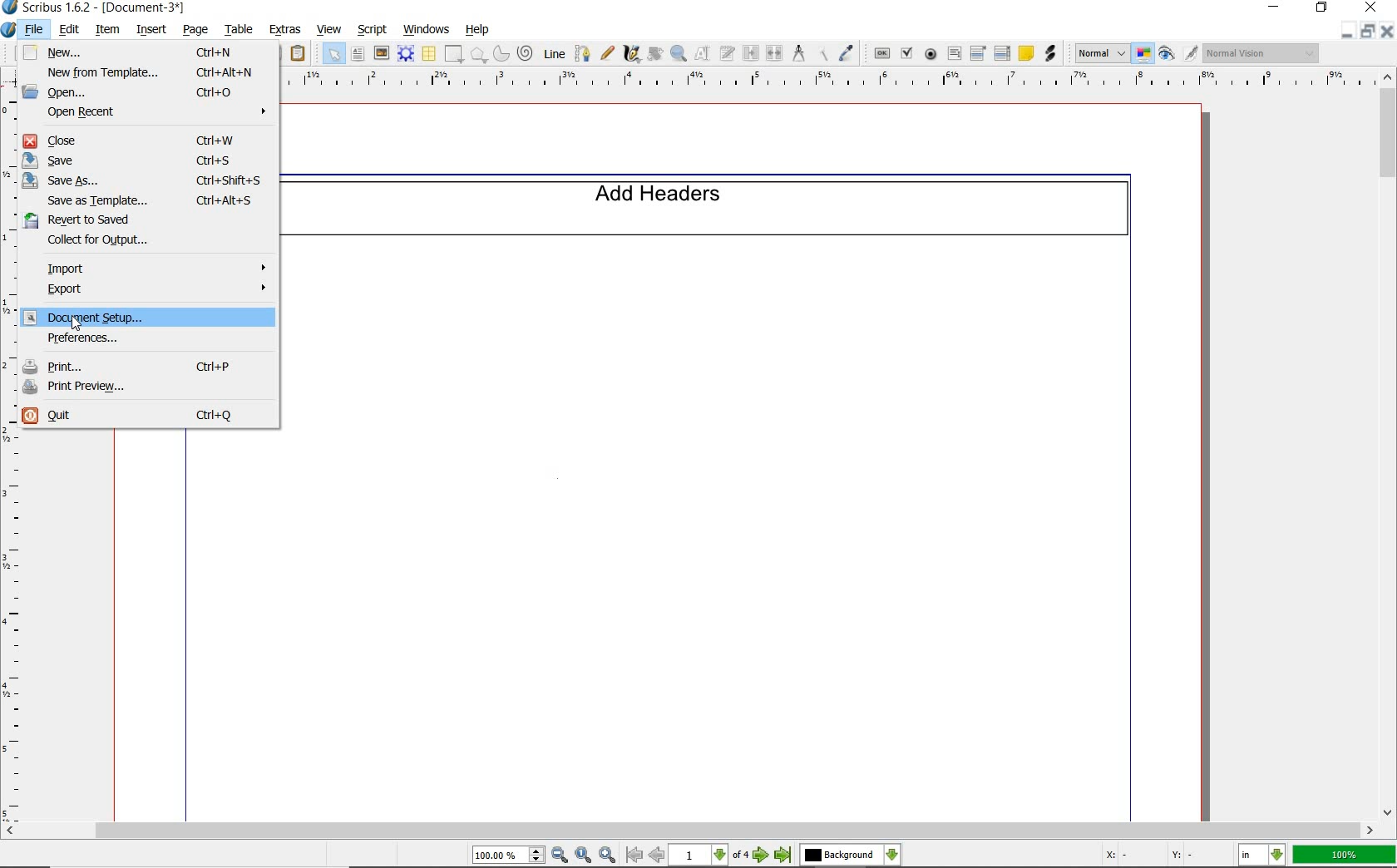 The height and width of the screenshot is (868, 1397). What do you see at coordinates (1102, 52) in the screenshot?
I see `select image preview mode` at bounding box center [1102, 52].